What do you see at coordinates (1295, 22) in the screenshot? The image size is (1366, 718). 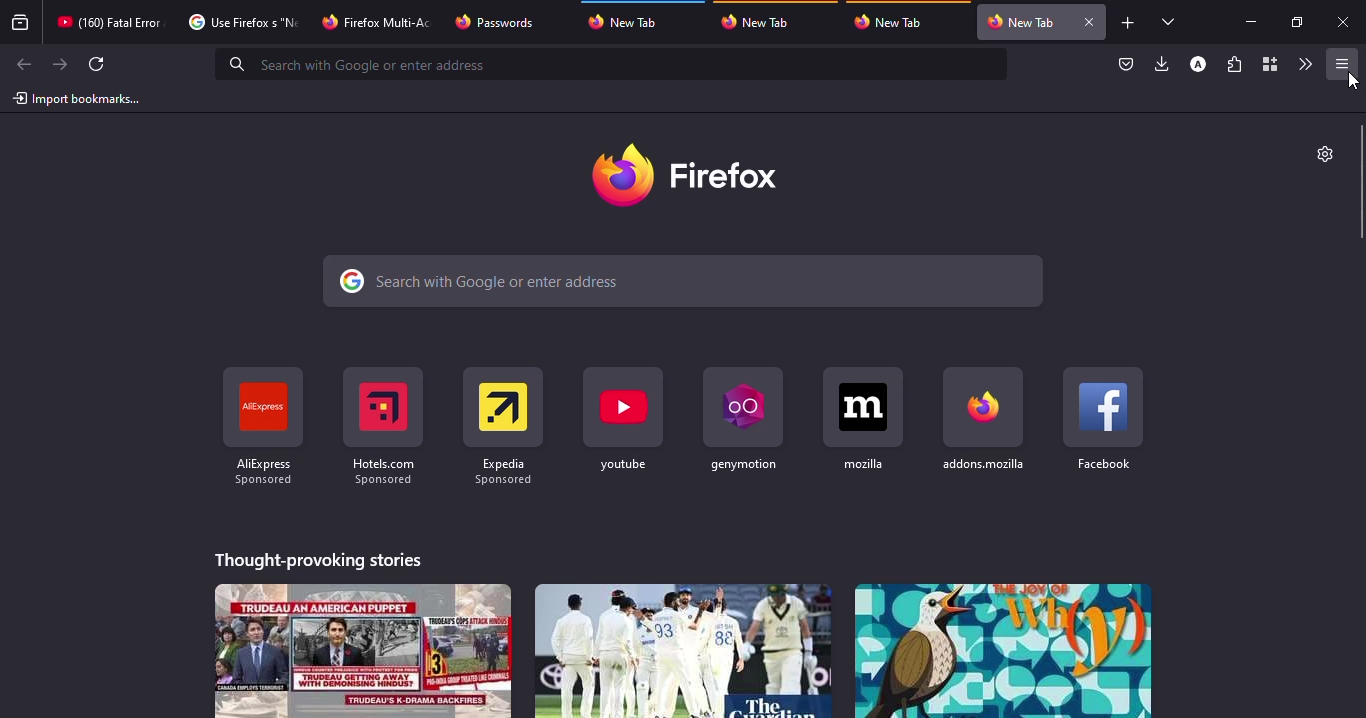 I see `maximize` at bounding box center [1295, 22].